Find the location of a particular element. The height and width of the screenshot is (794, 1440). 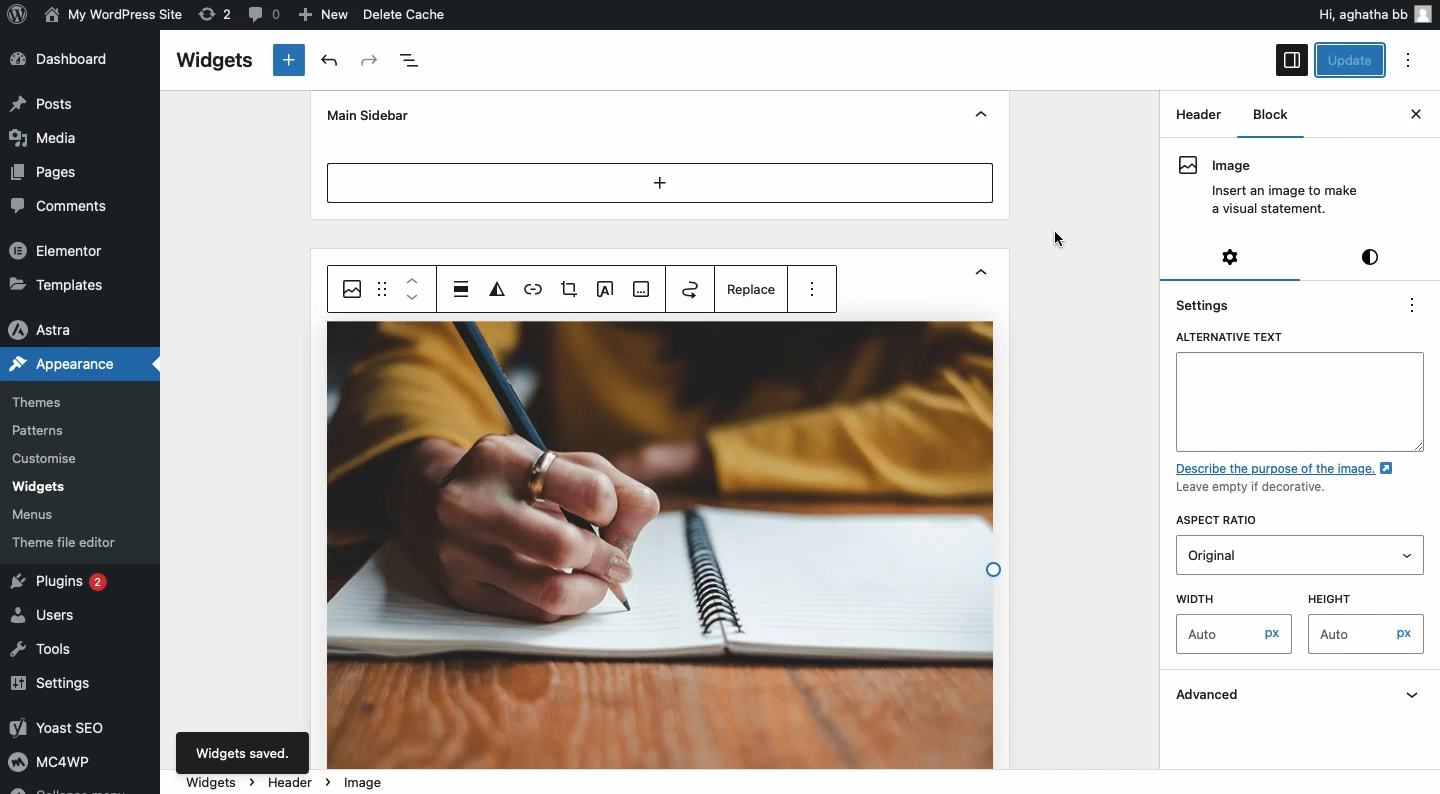

Plugins is located at coordinates (63, 583).